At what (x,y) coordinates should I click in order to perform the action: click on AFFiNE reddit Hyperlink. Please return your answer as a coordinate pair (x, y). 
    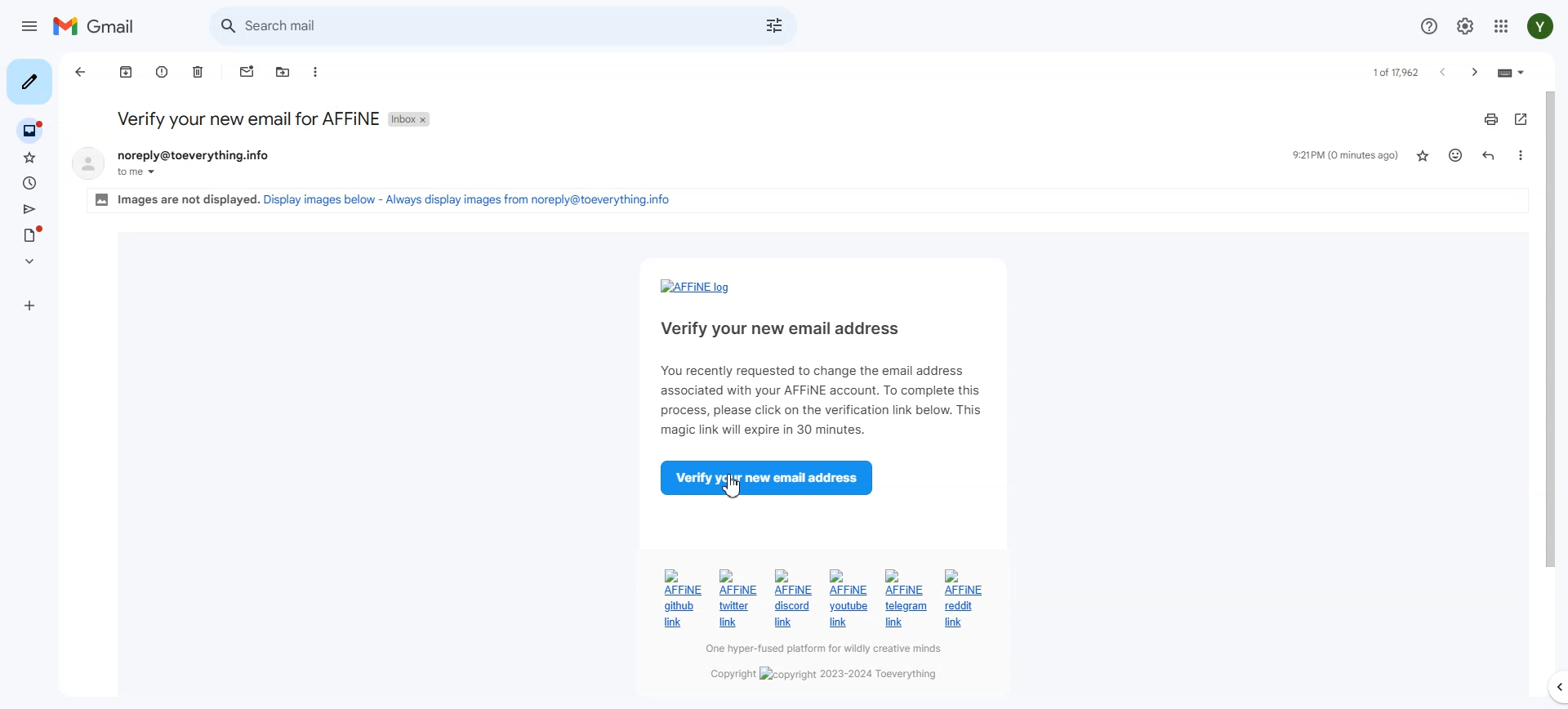
    Looking at the image, I should click on (964, 597).